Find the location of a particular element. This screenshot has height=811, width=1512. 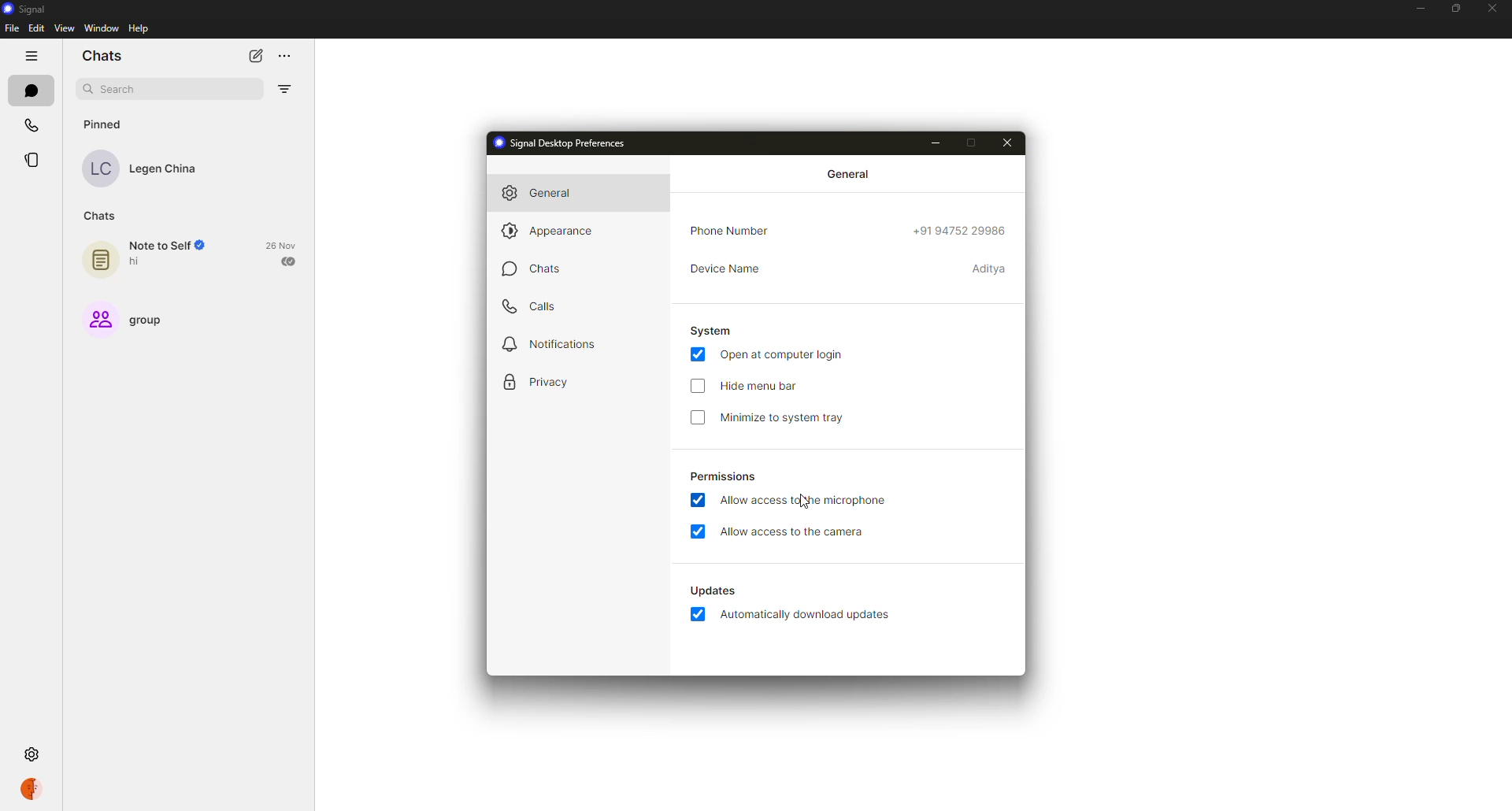

device name is located at coordinates (990, 269).